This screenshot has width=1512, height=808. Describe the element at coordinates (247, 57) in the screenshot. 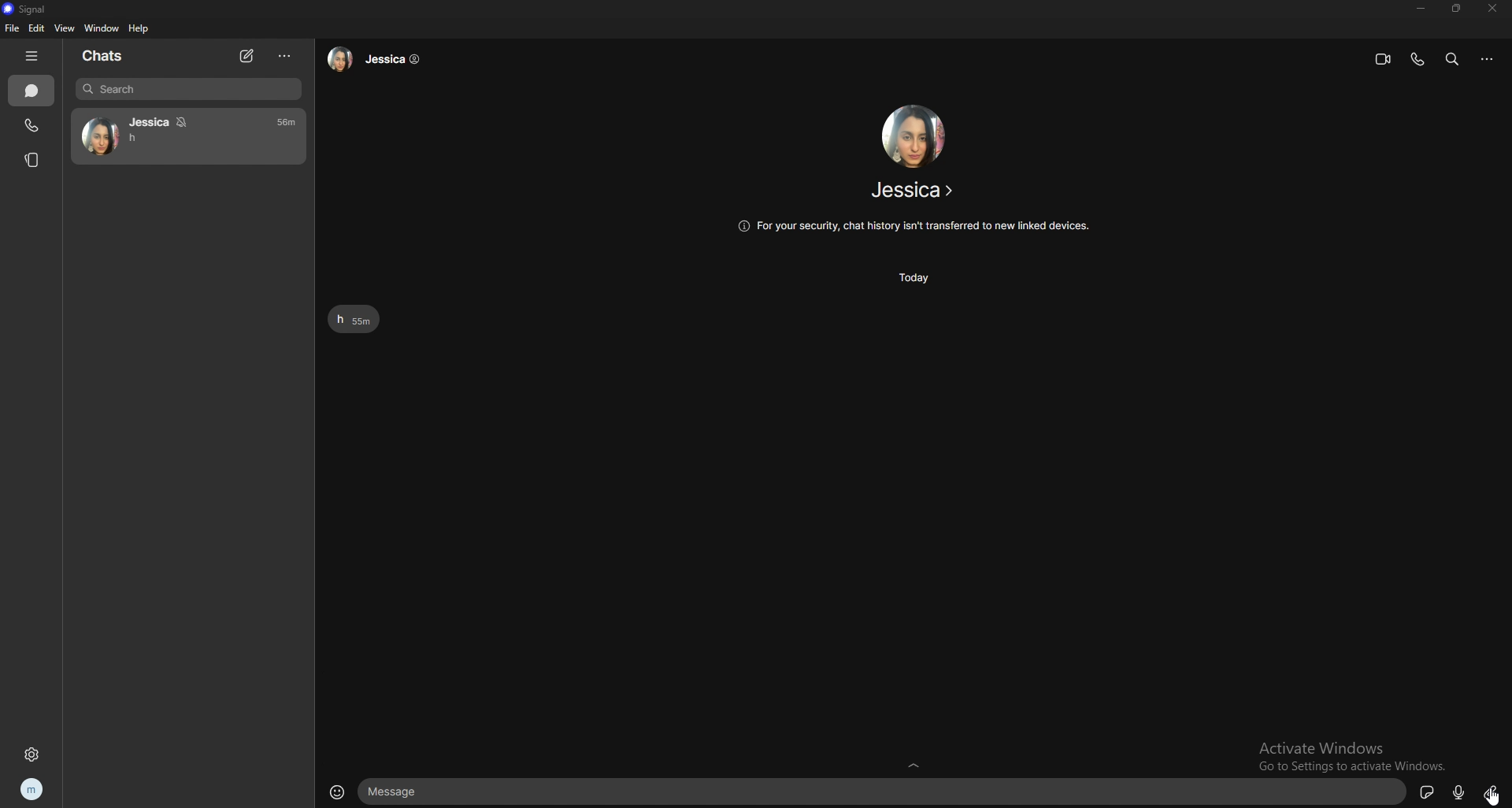

I see `new chat` at that location.